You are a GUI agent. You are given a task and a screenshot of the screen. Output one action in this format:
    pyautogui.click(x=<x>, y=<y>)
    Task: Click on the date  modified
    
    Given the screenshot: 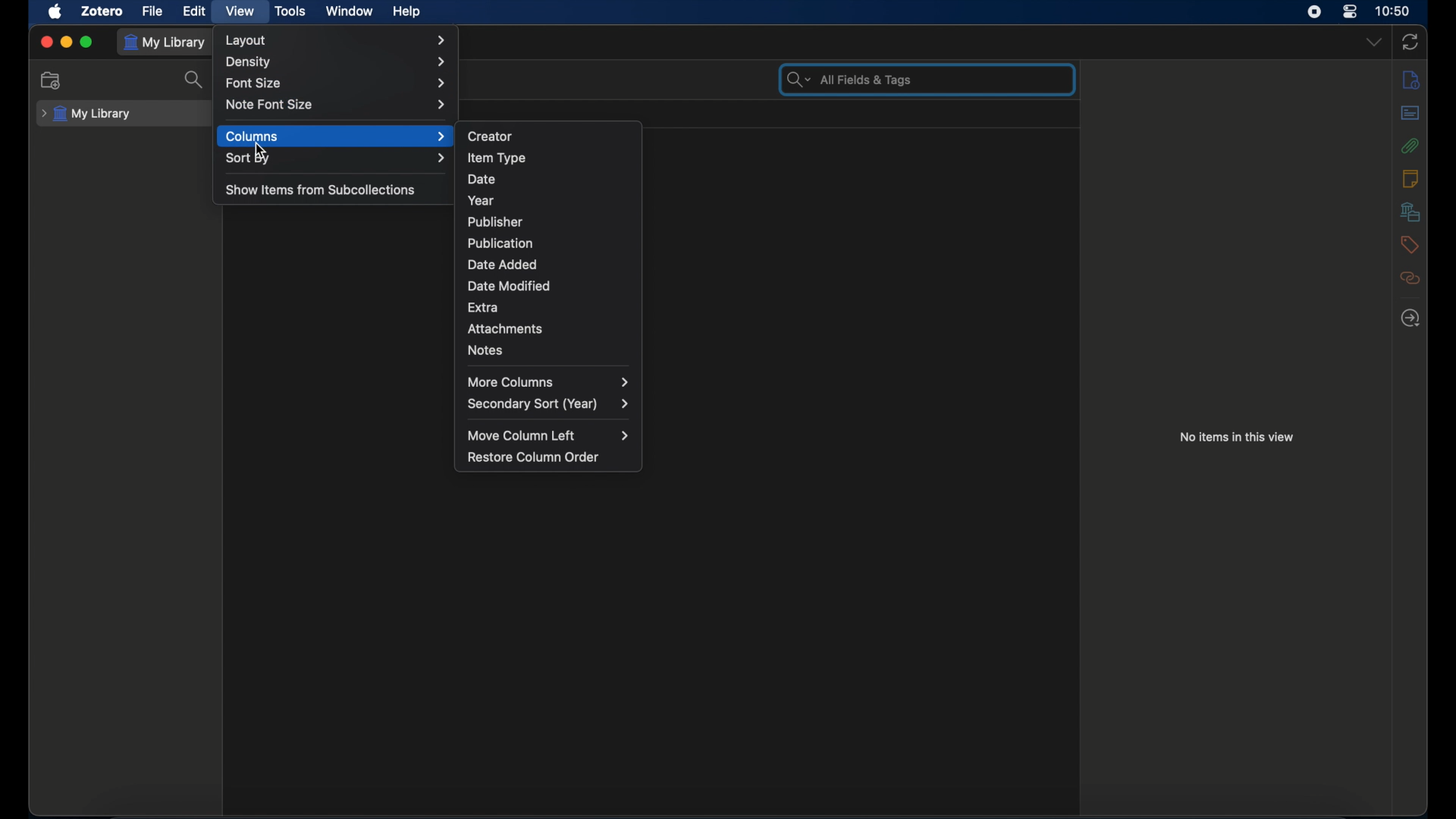 What is the action you would take?
    pyautogui.click(x=510, y=286)
    